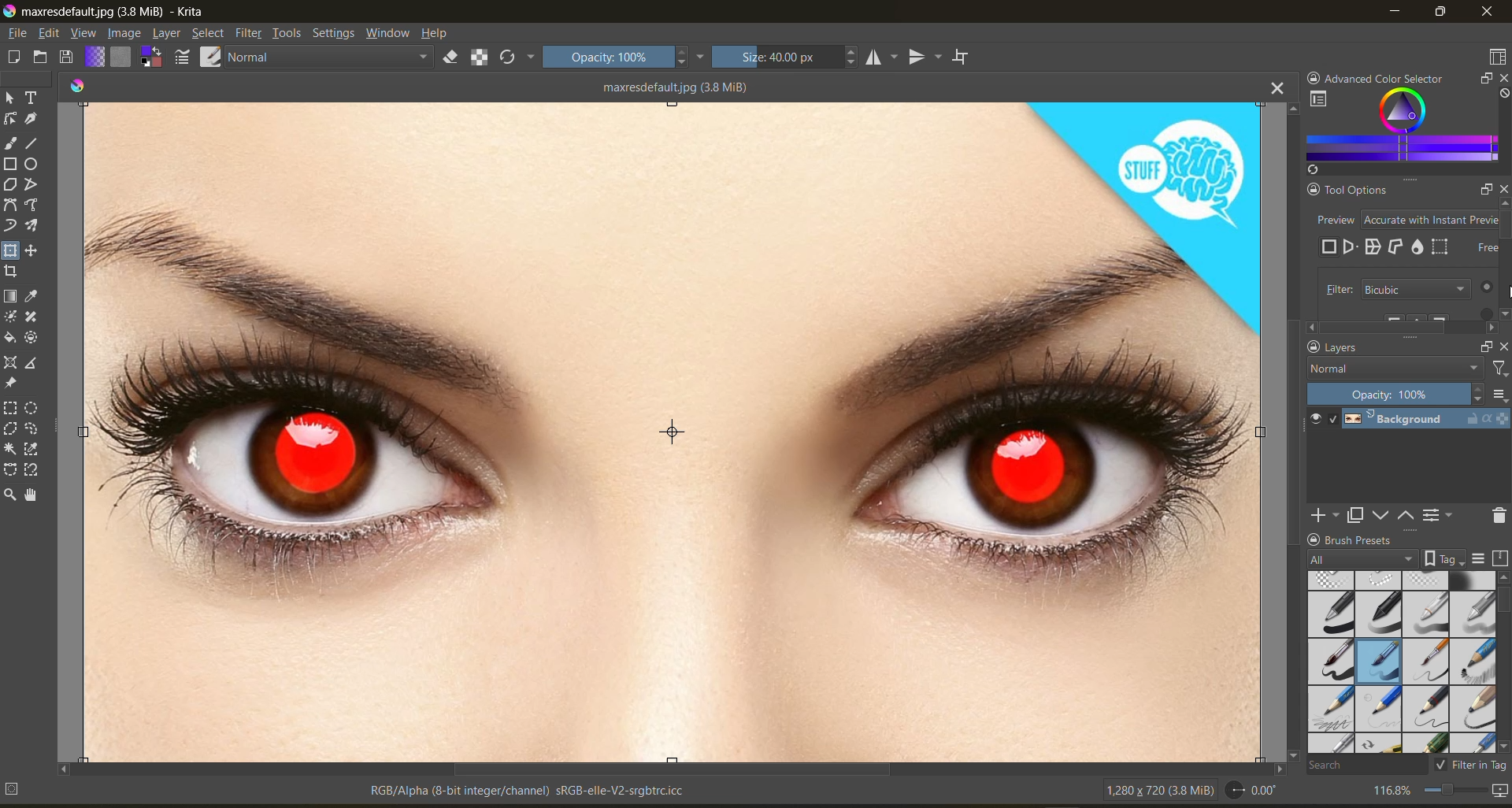 The height and width of the screenshot is (808, 1512). What do you see at coordinates (1496, 57) in the screenshot?
I see `choose workspace` at bounding box center [1496, 57].